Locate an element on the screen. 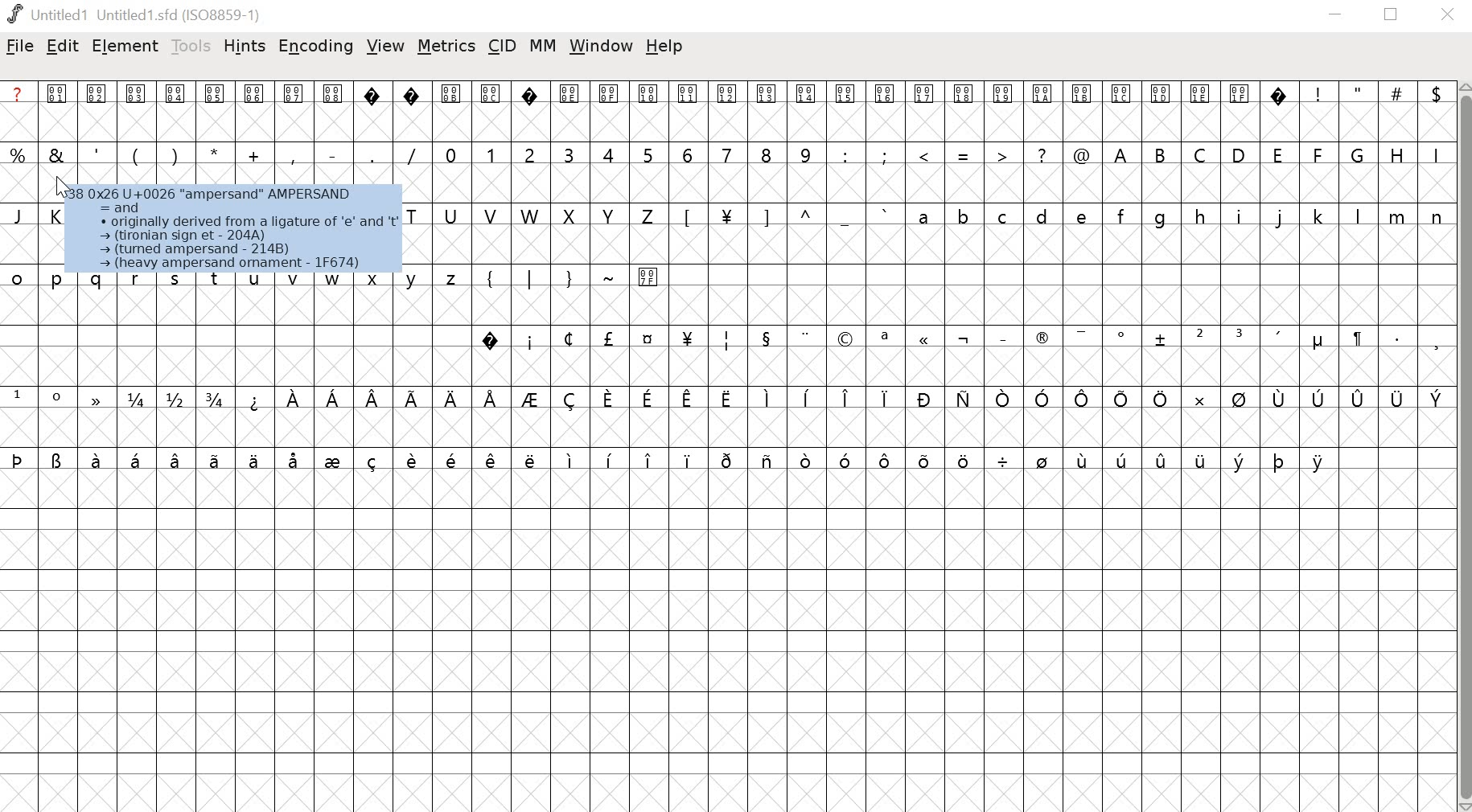 The height and width of the screenshot is (812, 1472). symbol is located at coordinates (1162, 338).